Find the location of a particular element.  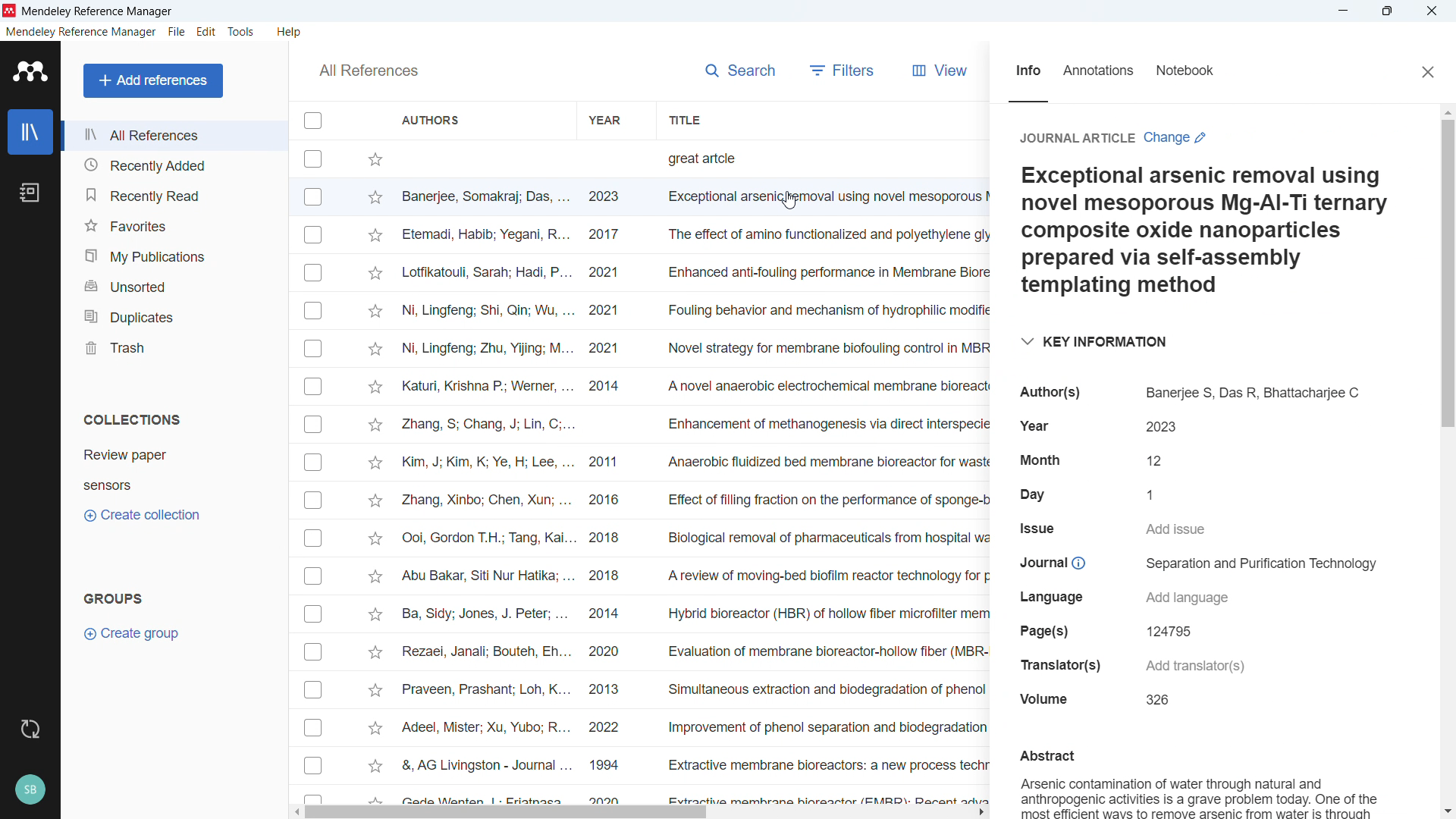

Title of individual entries  is located at coordinates (825, 475).